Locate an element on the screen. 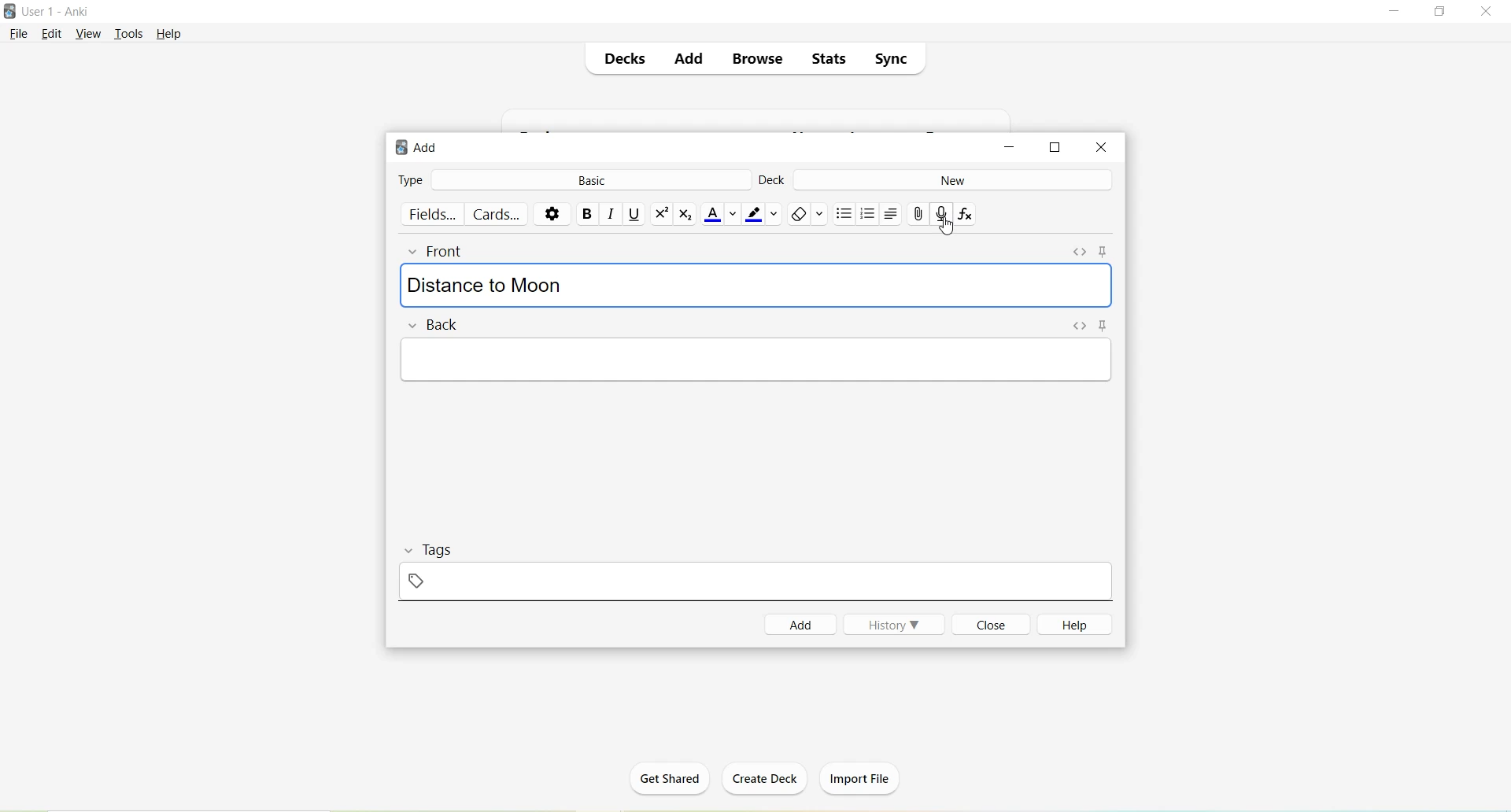  New is located at coordinates (953, 180).